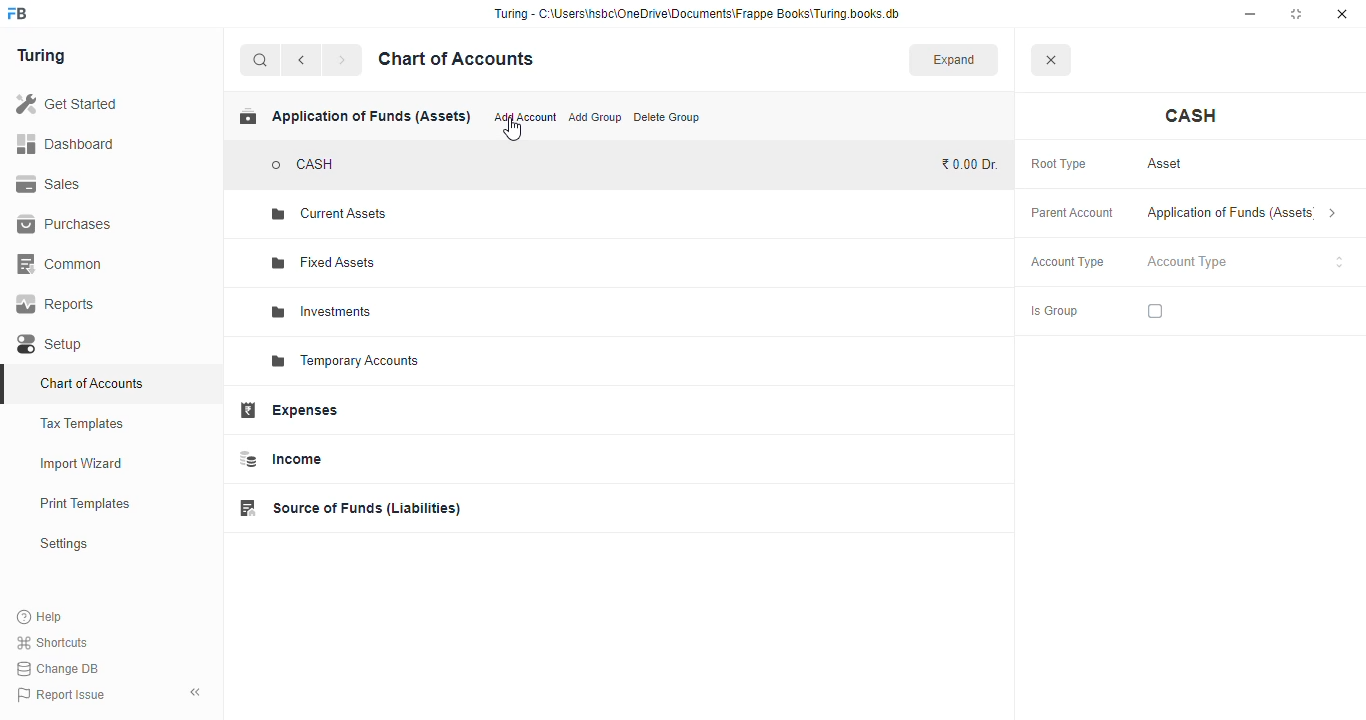 The height and width of the screenshot is (720, 1366). Describe the element at coordinates (53, 642) in the screenshot. I see `shortcuts` at that location.